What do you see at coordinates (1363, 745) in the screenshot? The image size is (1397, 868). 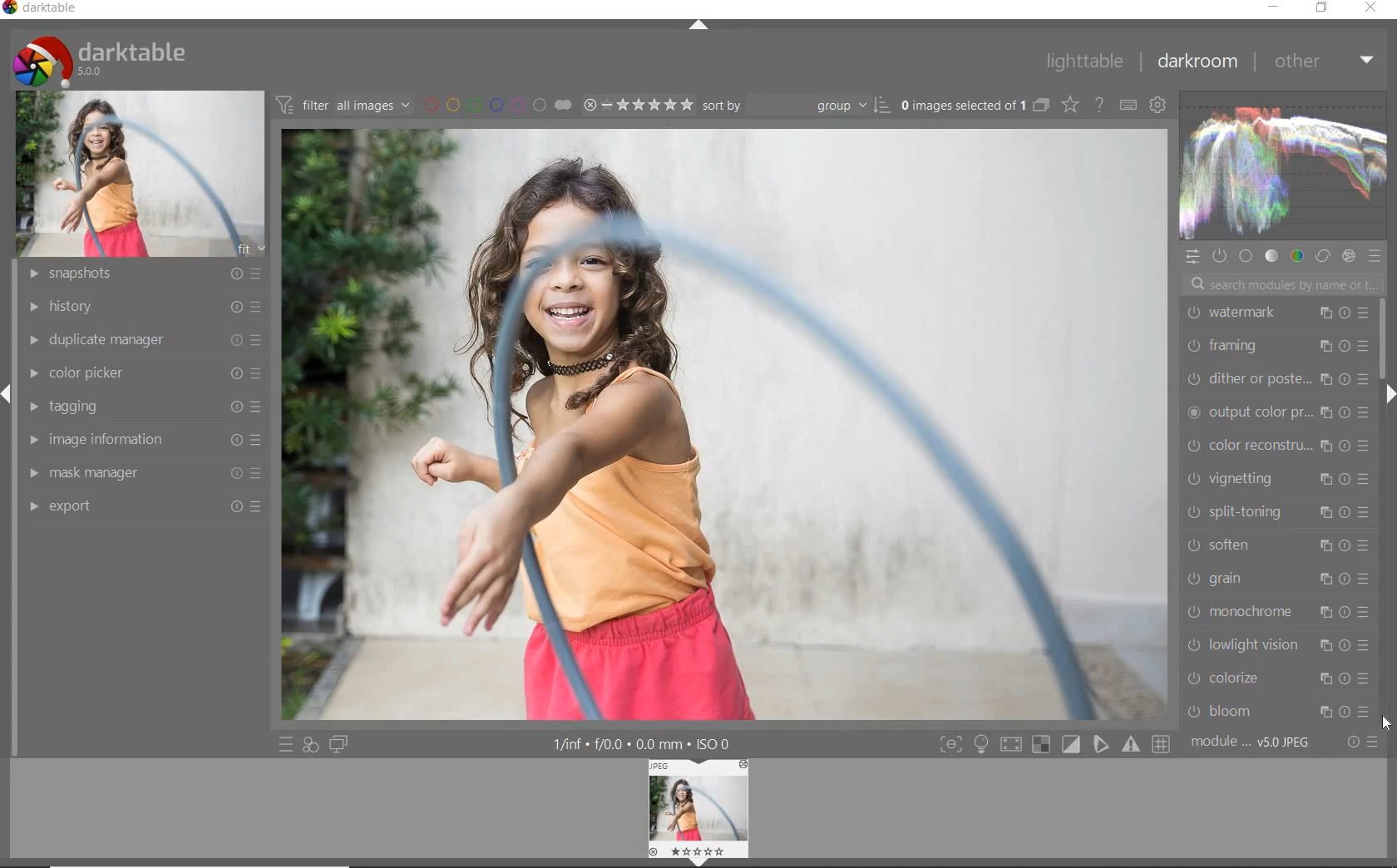 I see `reset or preset preference` at bounding box center [1363, 745].